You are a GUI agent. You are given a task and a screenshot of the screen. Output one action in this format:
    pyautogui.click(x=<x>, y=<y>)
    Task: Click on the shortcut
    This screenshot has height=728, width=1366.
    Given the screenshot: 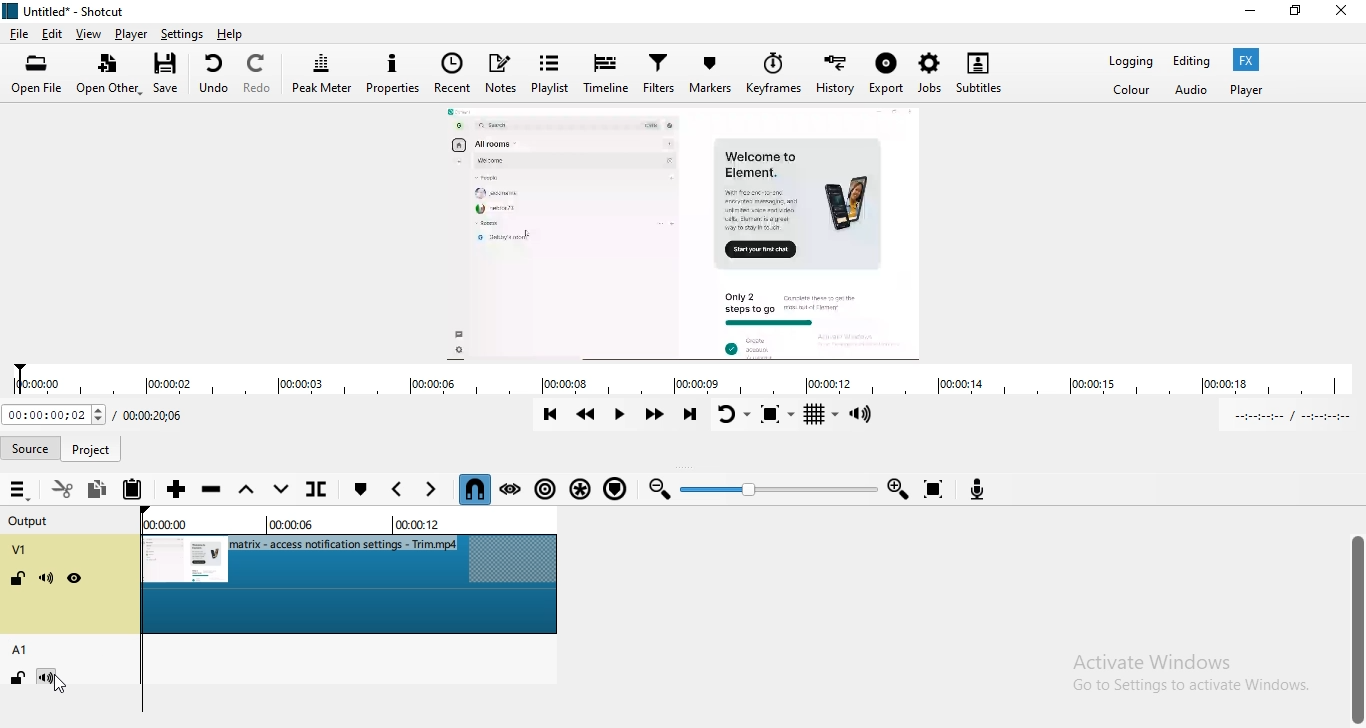 What is the action you would take?
    pyautogui.click(x=81, y=10)
    